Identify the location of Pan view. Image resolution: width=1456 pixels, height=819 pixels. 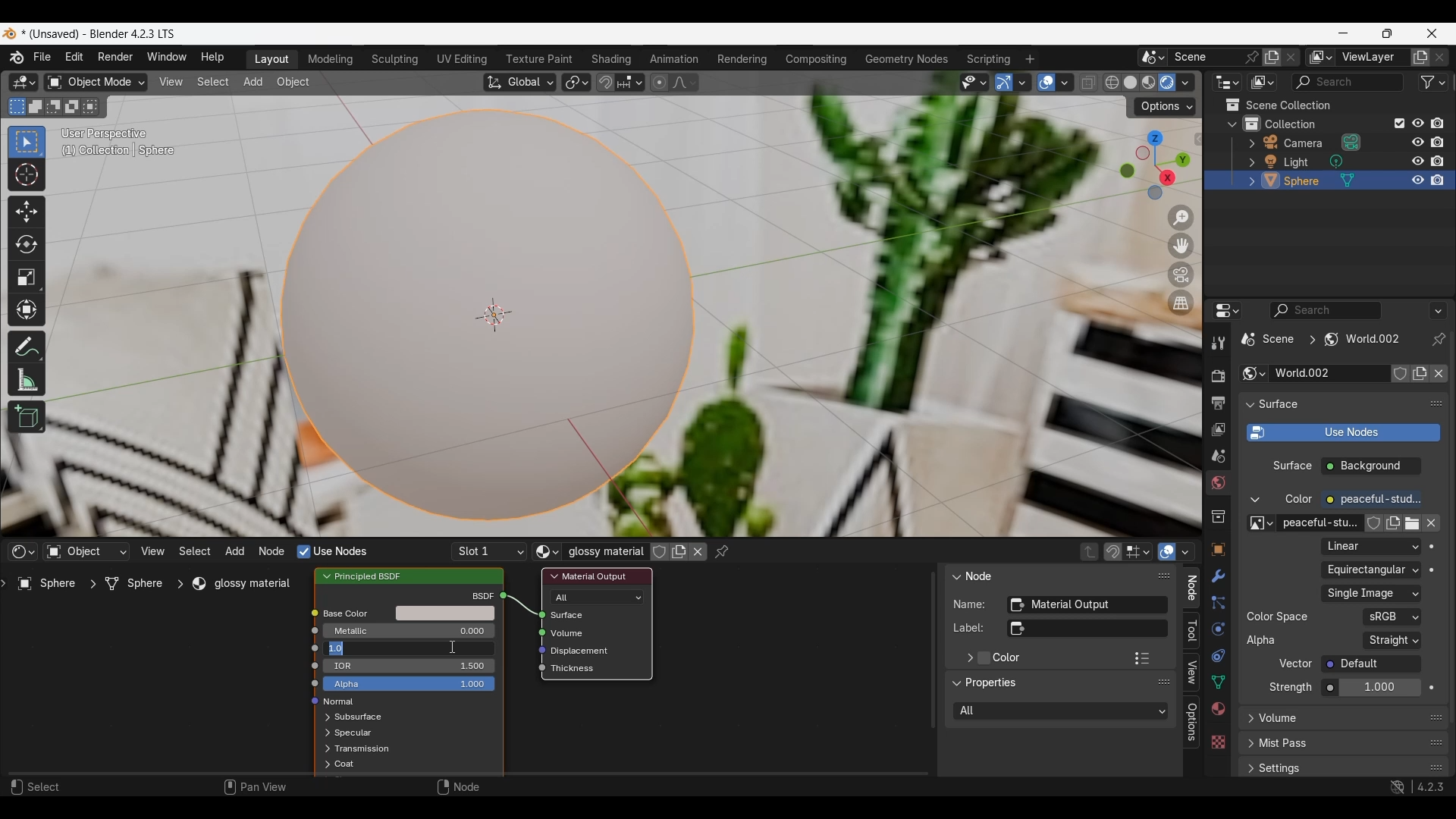
(255, 786).